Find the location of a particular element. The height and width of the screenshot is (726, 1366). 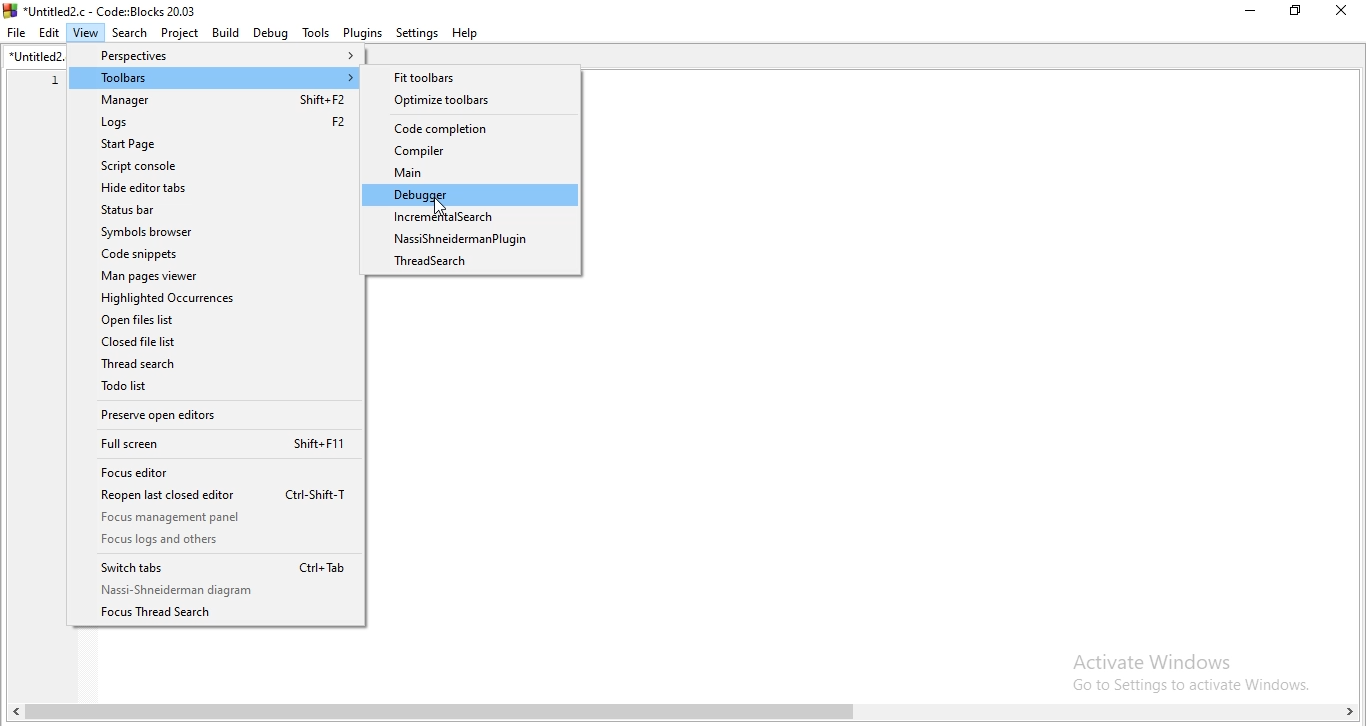

Status bar is located at coordinates (211, 211).